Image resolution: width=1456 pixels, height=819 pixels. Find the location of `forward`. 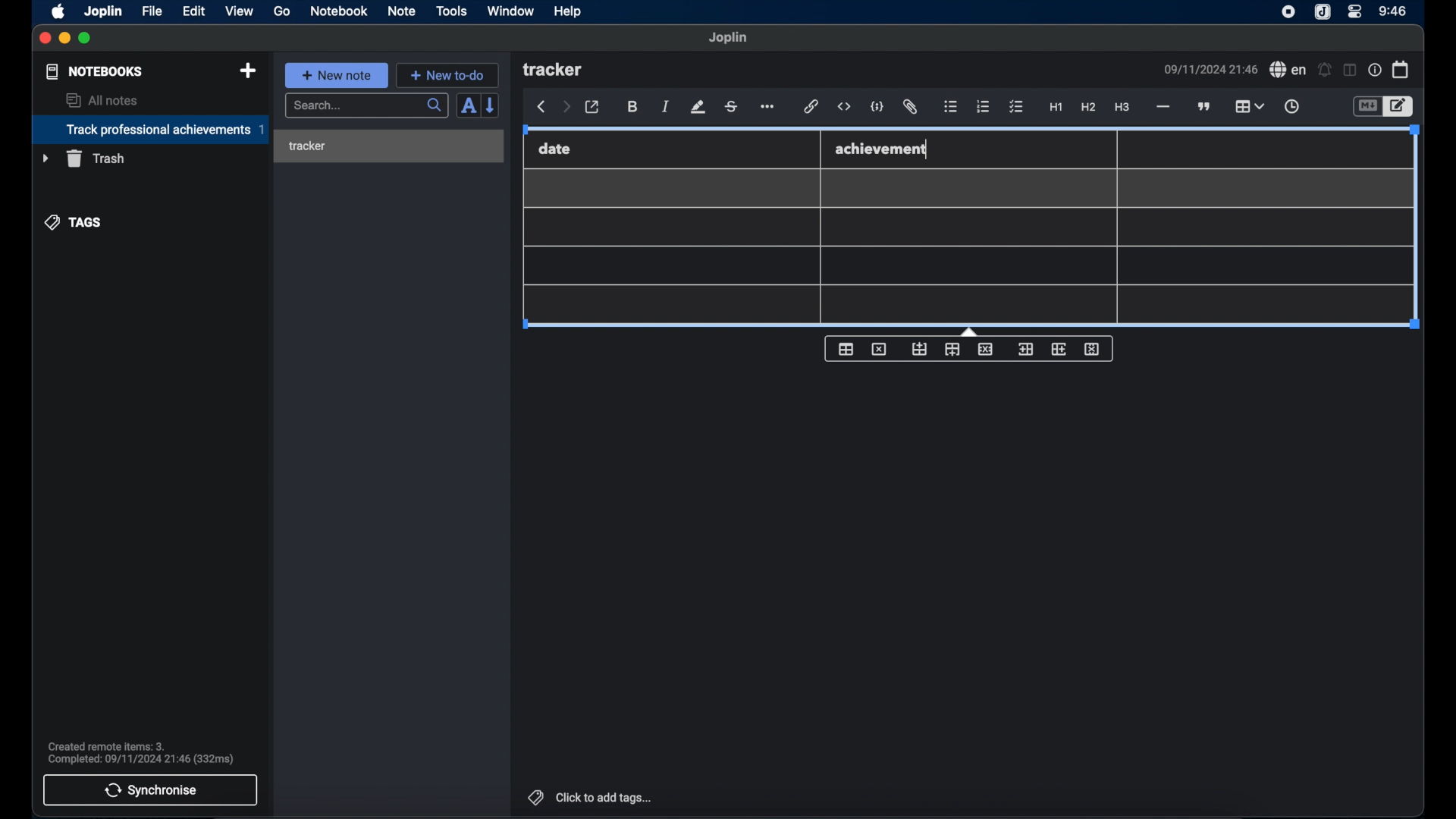

forward is located at coordinates (566, 108).